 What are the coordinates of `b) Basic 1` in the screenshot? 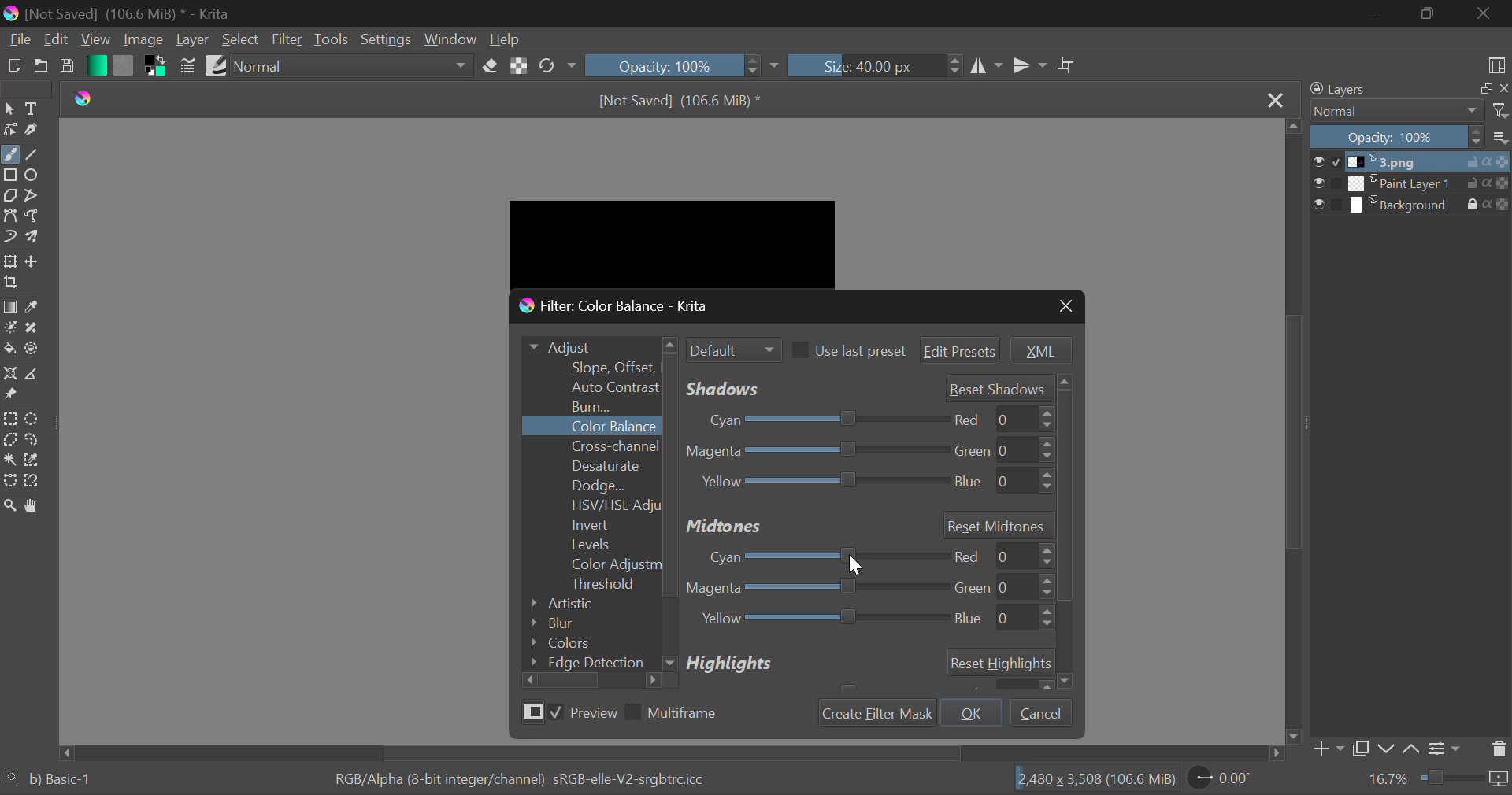 It's located at (67, 782).